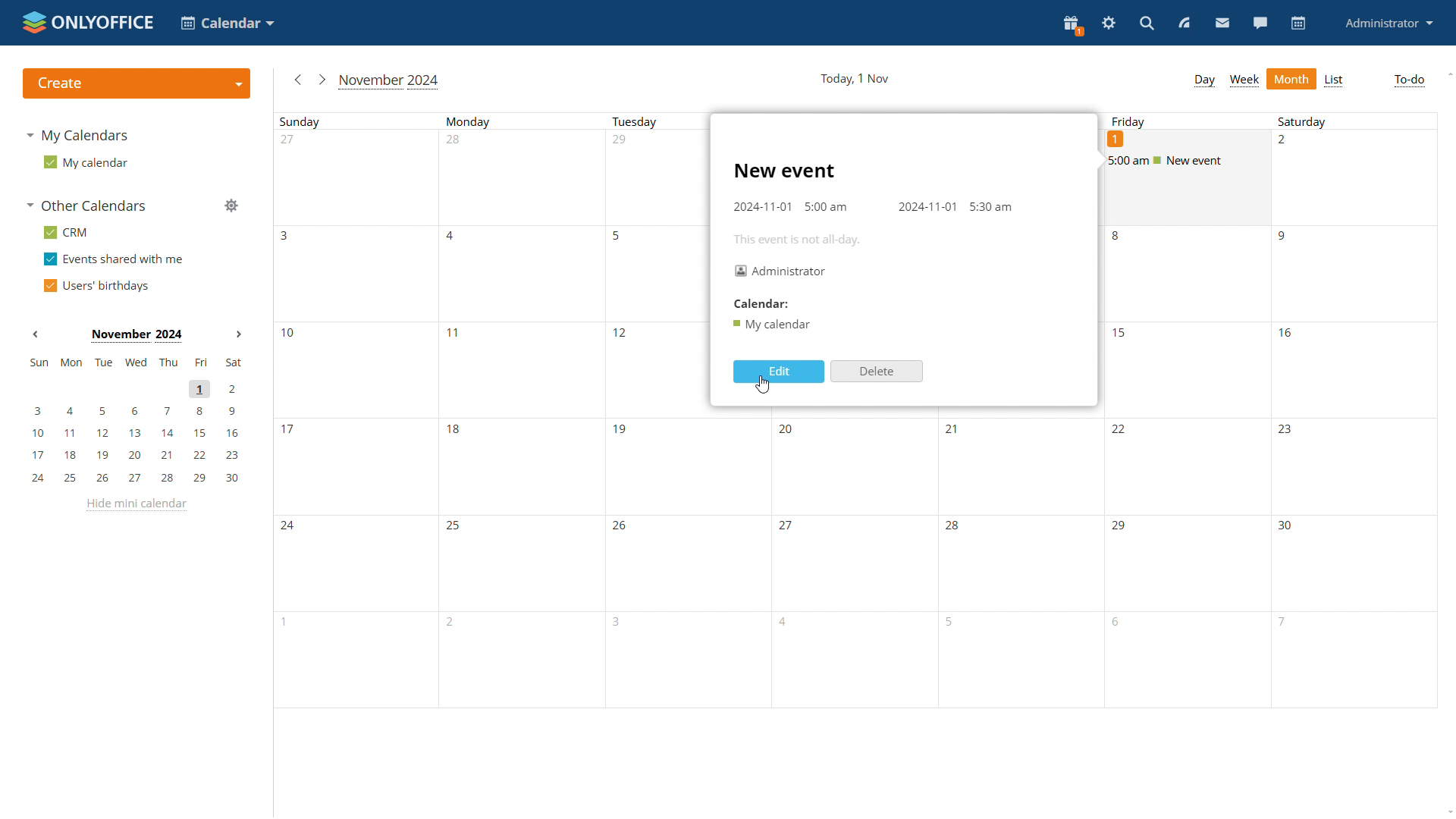  I want to click on create, so click(136, 83).